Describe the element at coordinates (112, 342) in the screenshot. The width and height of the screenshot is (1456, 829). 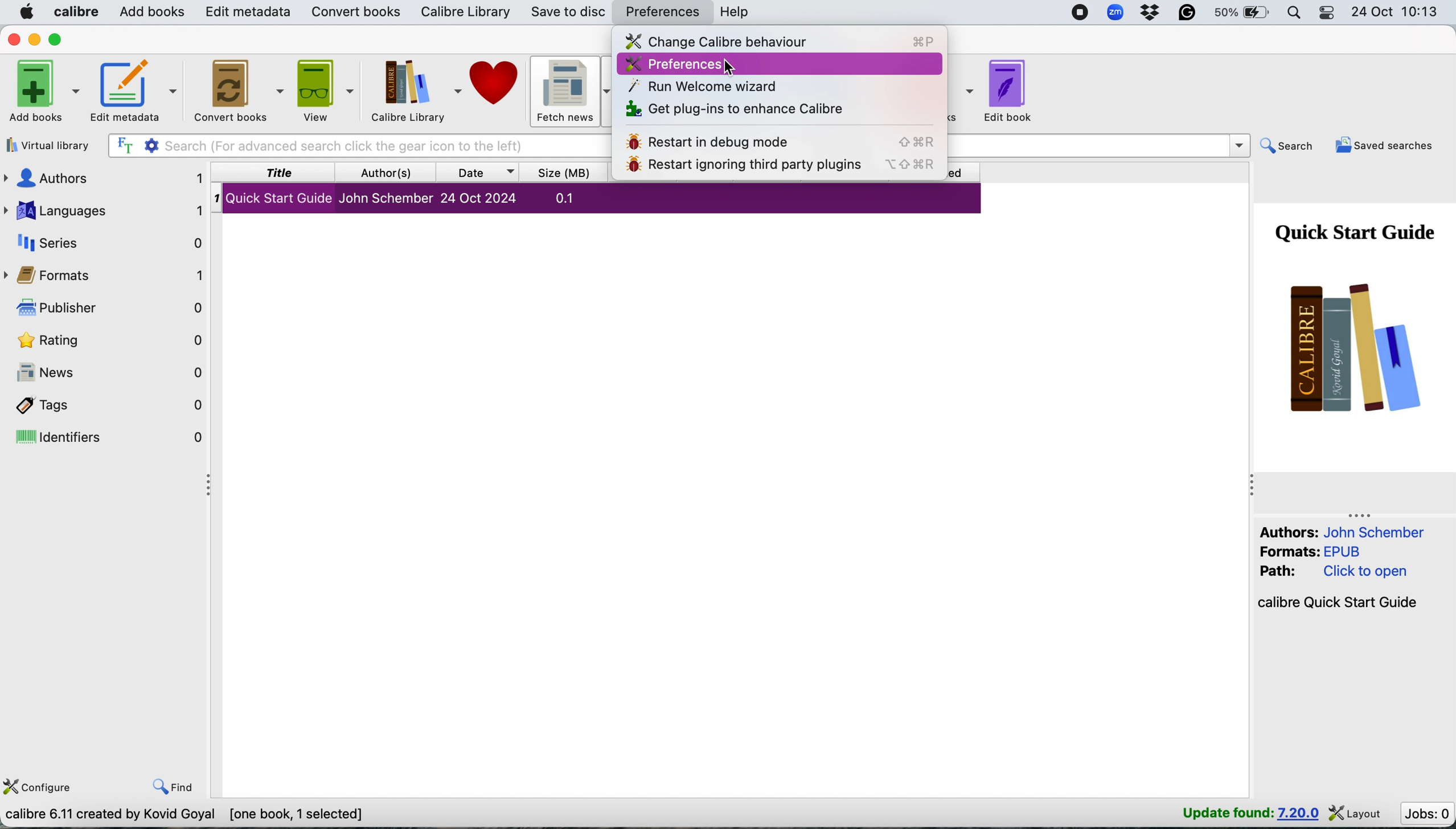
I see `rating` at that location.